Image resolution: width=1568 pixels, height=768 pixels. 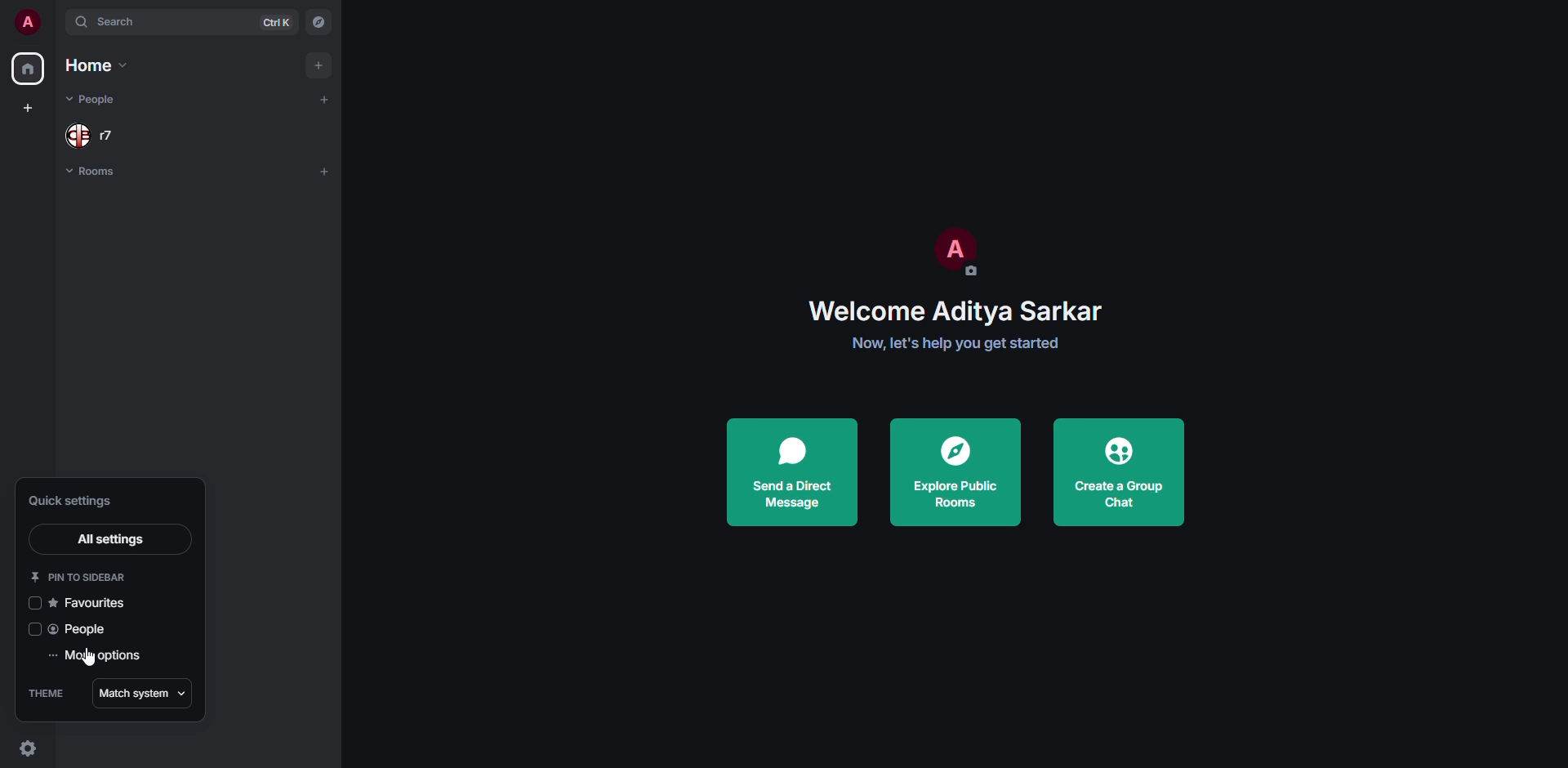 What do you see at coordinates (98, 136) in the screenshot?
I see `people` at bounding box center [98, 136].